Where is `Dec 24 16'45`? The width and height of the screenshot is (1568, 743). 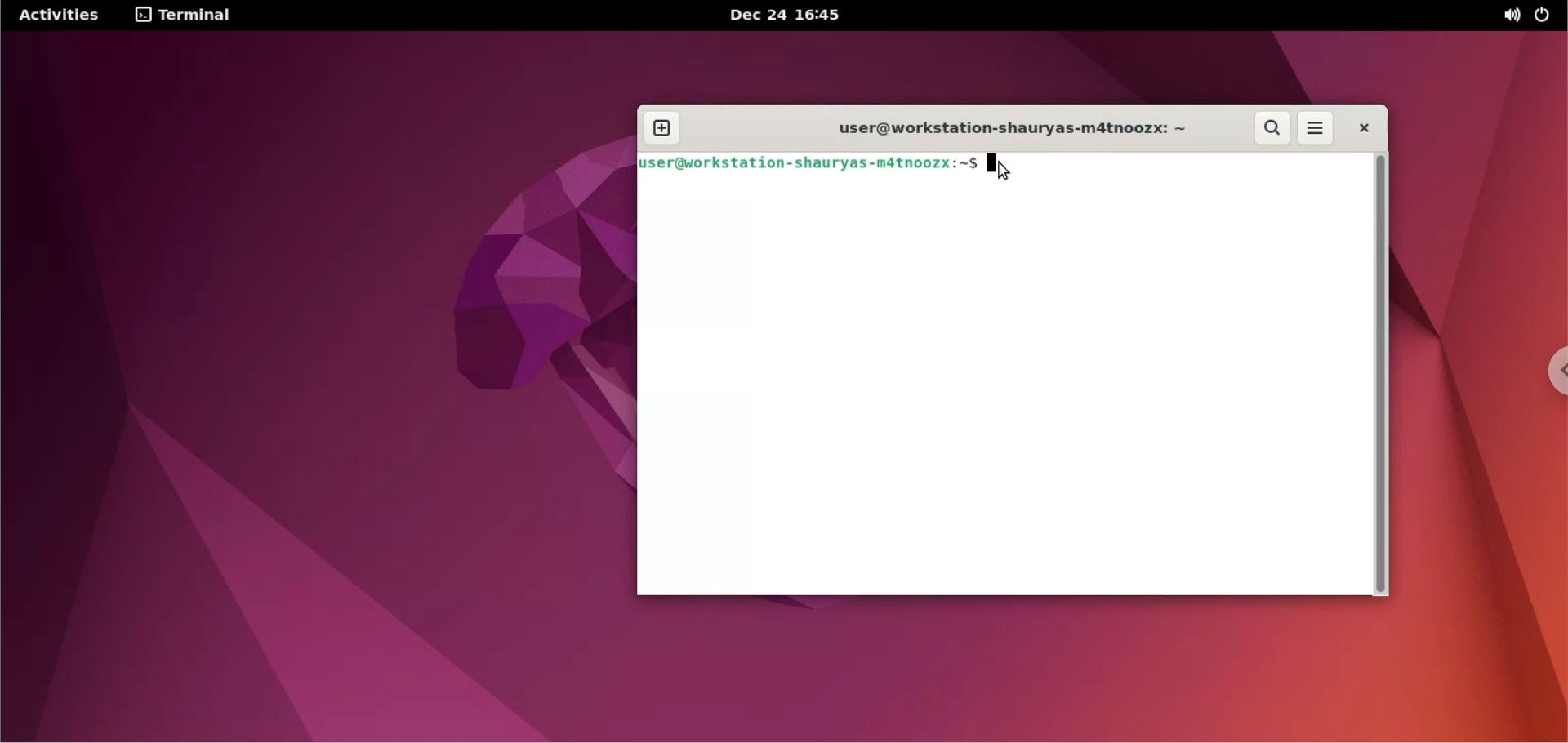
Dec 24 16'45 is located at coordinates (788, 16).